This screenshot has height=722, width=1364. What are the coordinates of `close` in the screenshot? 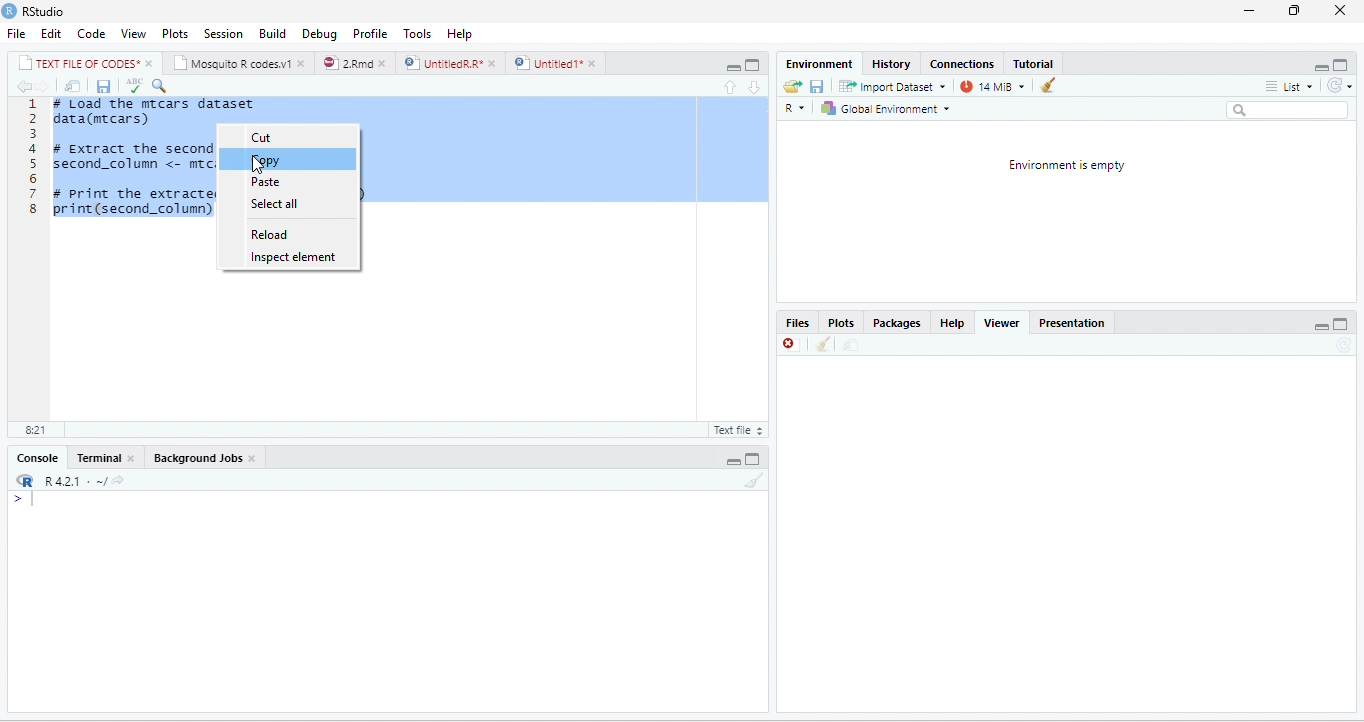 It's located at (595, 63).